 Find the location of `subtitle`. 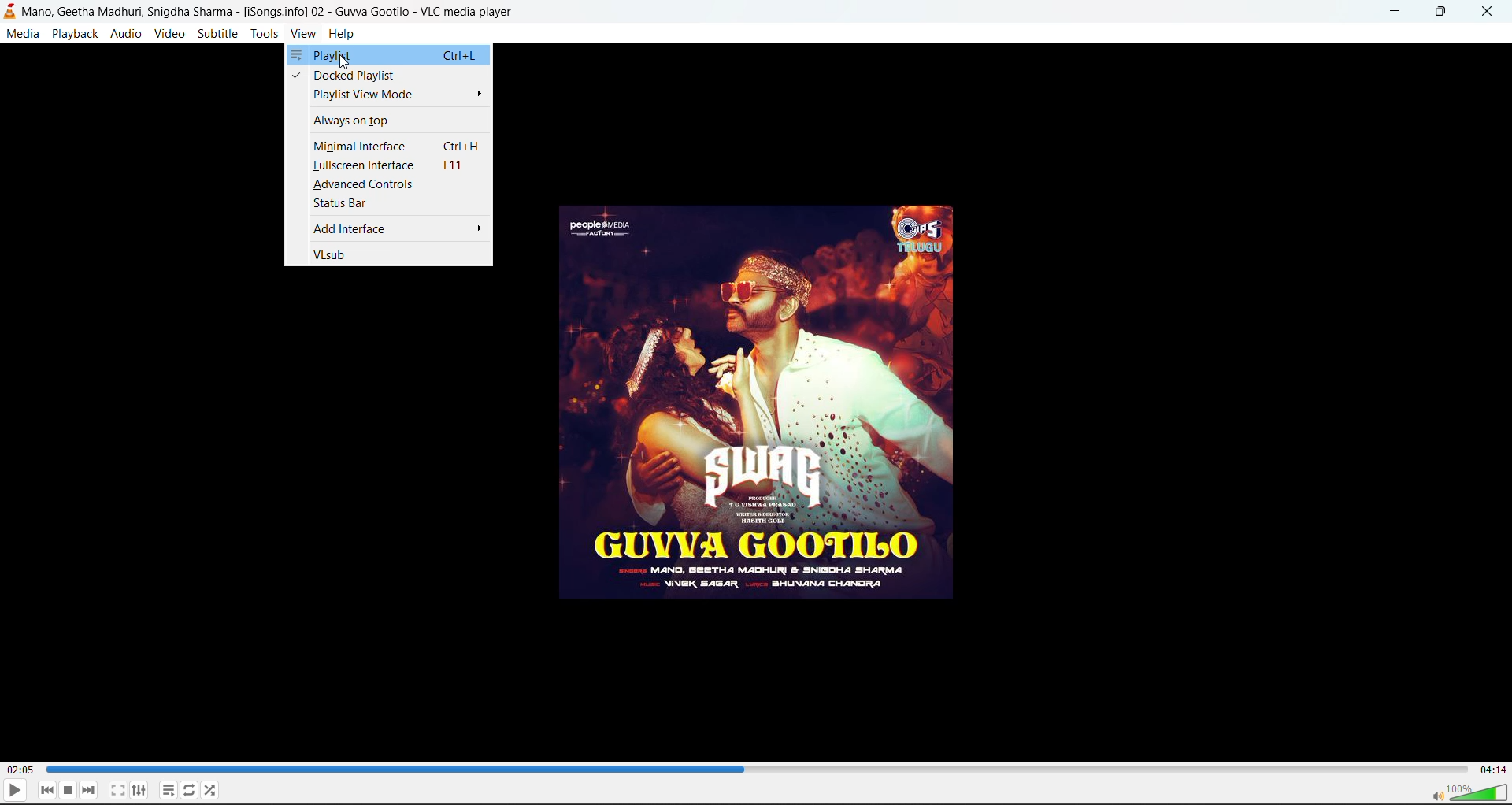

subtitle is located at coordinates (216, 33).